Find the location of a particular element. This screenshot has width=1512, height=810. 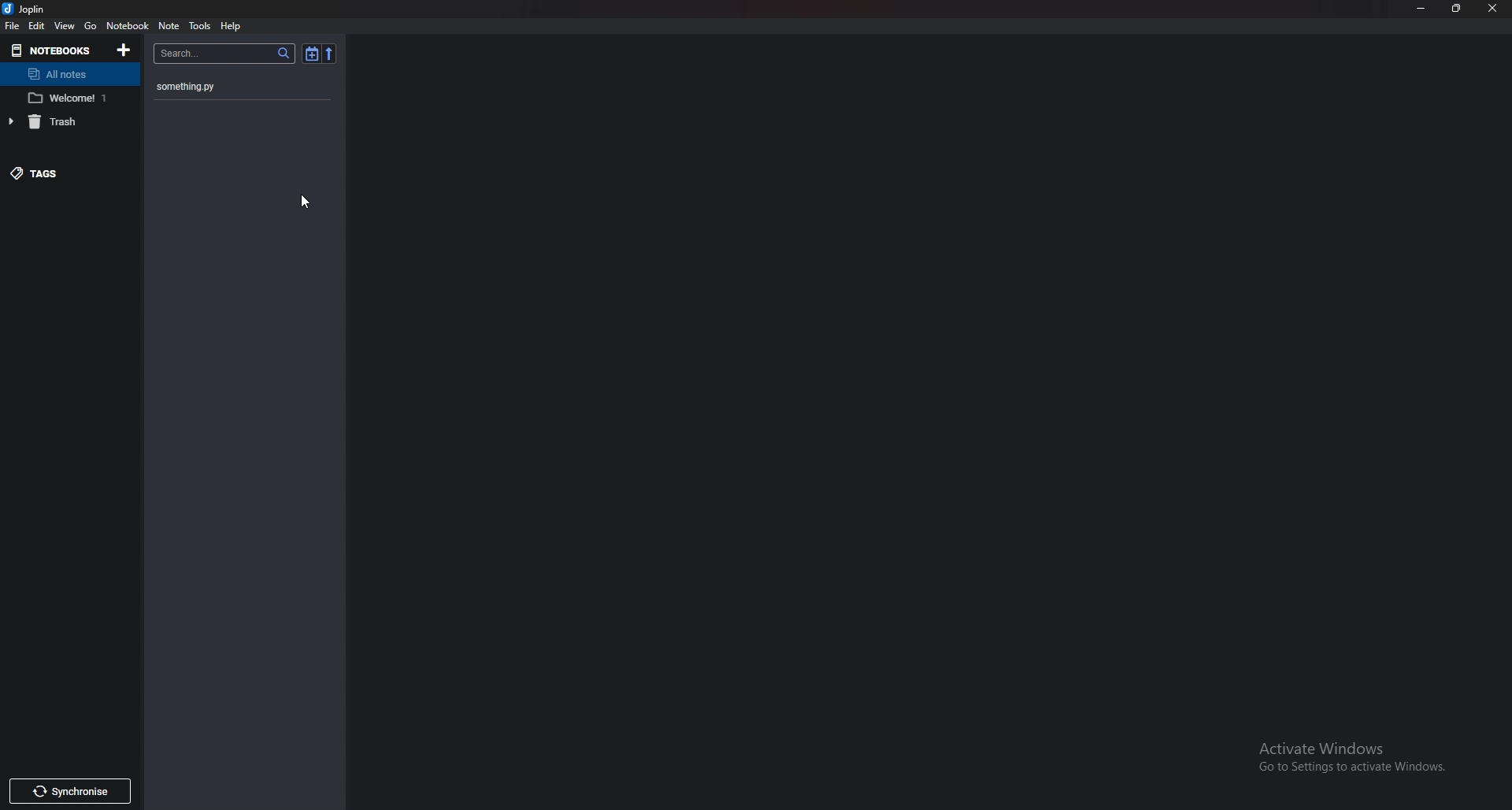

File is located at coordinates (13, 26).